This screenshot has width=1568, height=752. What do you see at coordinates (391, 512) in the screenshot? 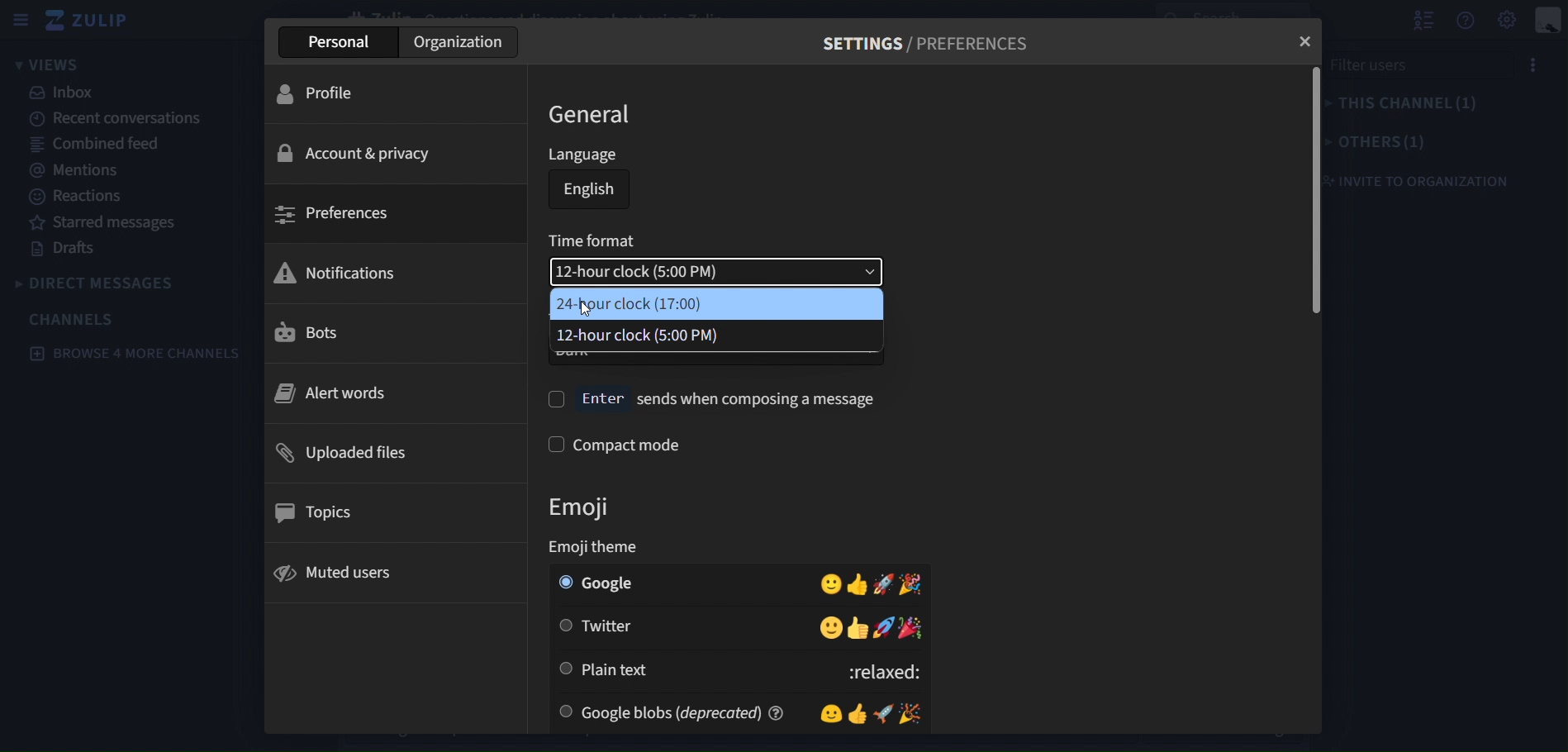
I see `topics` at bounding box center [391, 512].